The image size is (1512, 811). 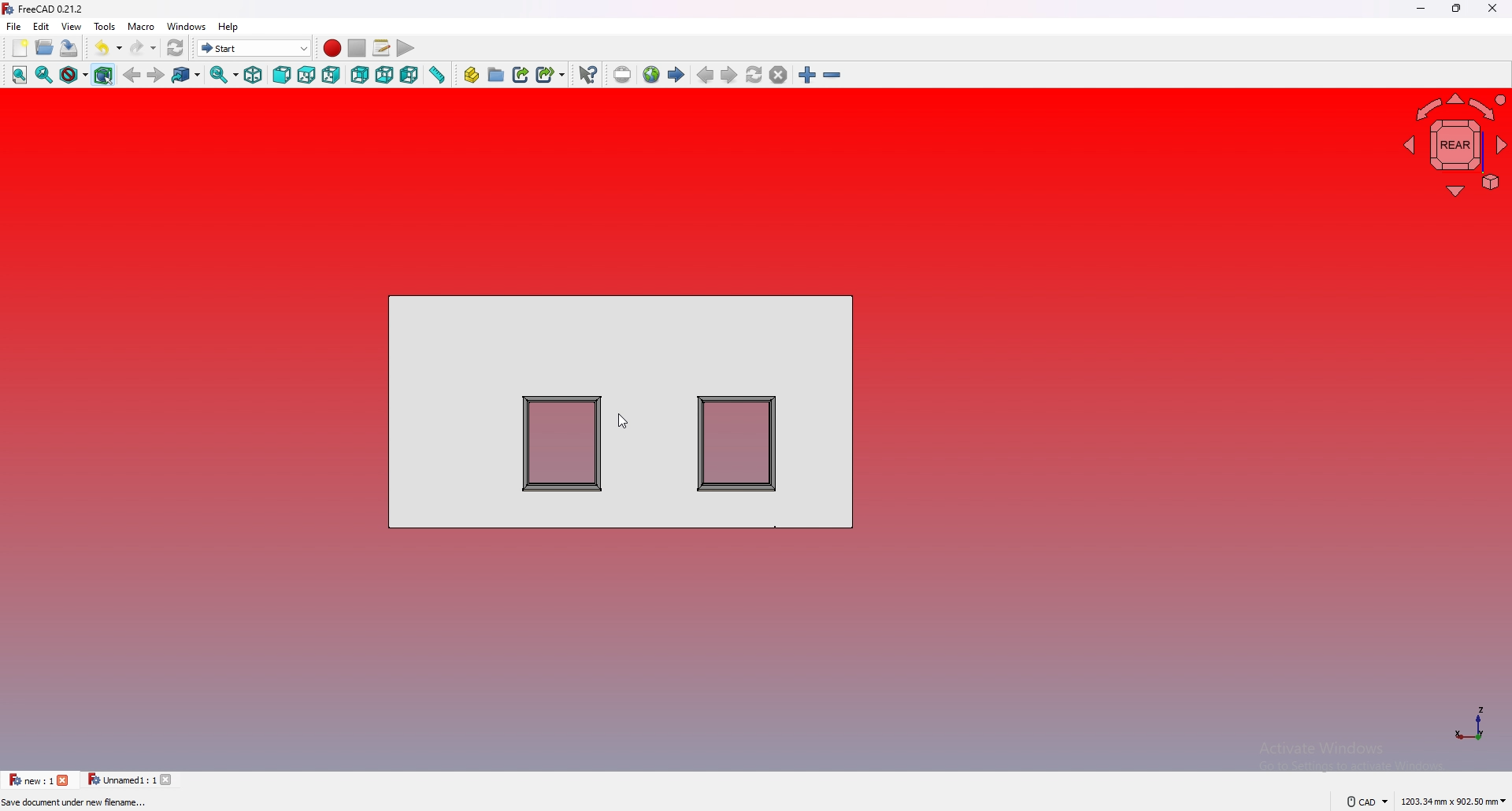 I want to click on undo, so click(x=108, y=48).